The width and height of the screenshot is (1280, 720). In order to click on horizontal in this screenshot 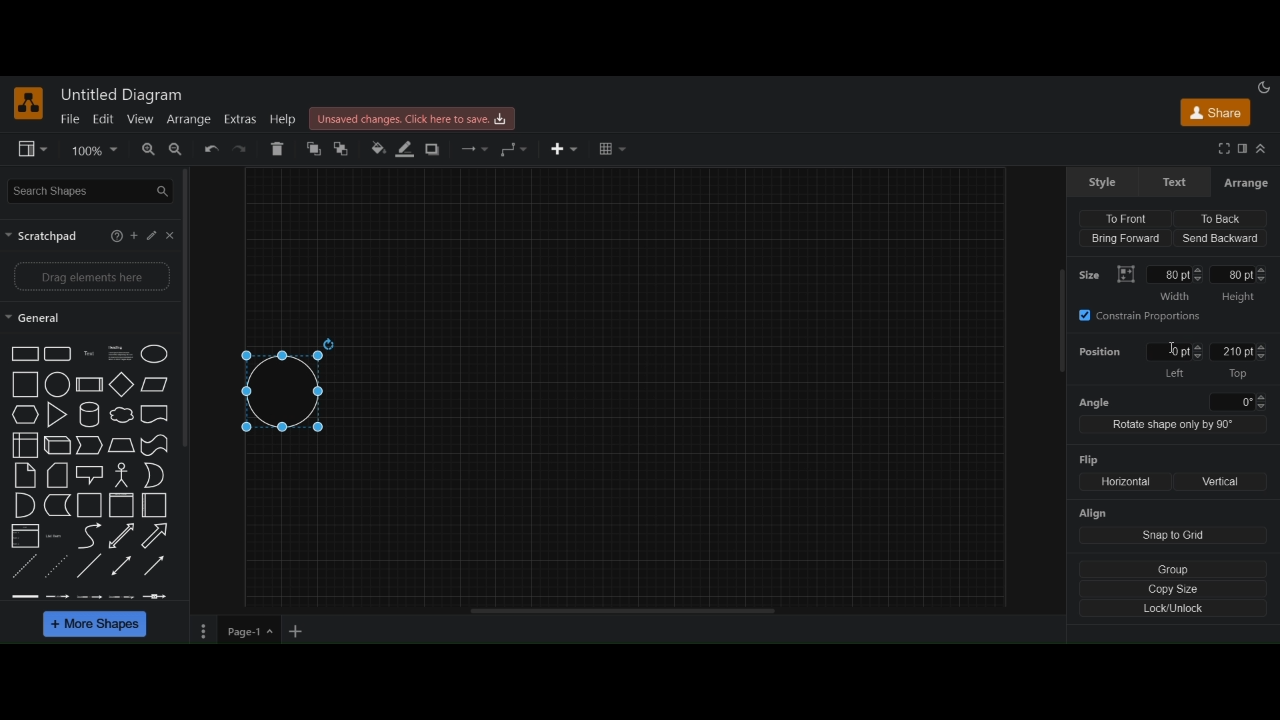, I will do `click(1123, 481)`.